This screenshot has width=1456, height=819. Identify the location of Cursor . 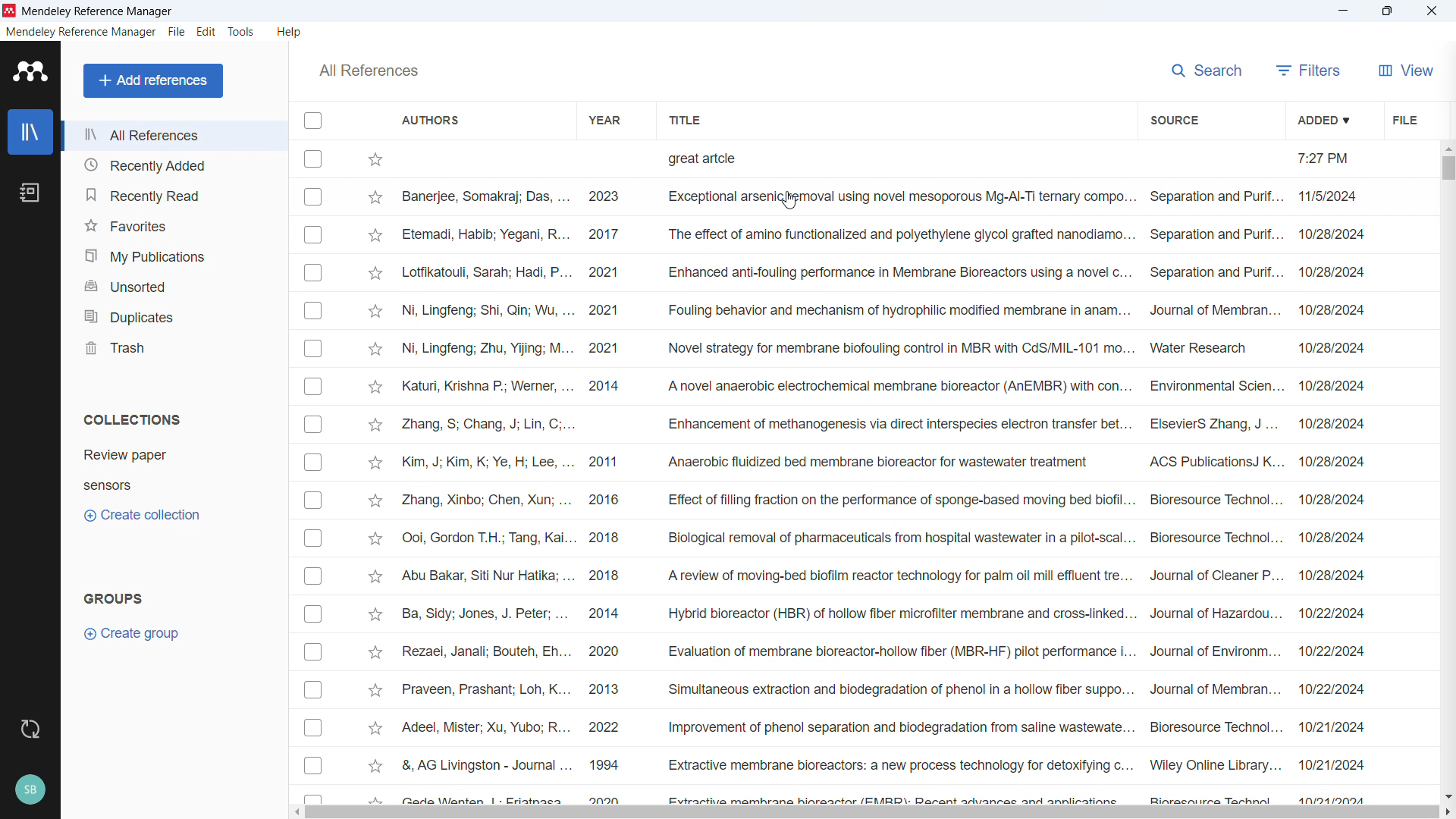
(787, 201).